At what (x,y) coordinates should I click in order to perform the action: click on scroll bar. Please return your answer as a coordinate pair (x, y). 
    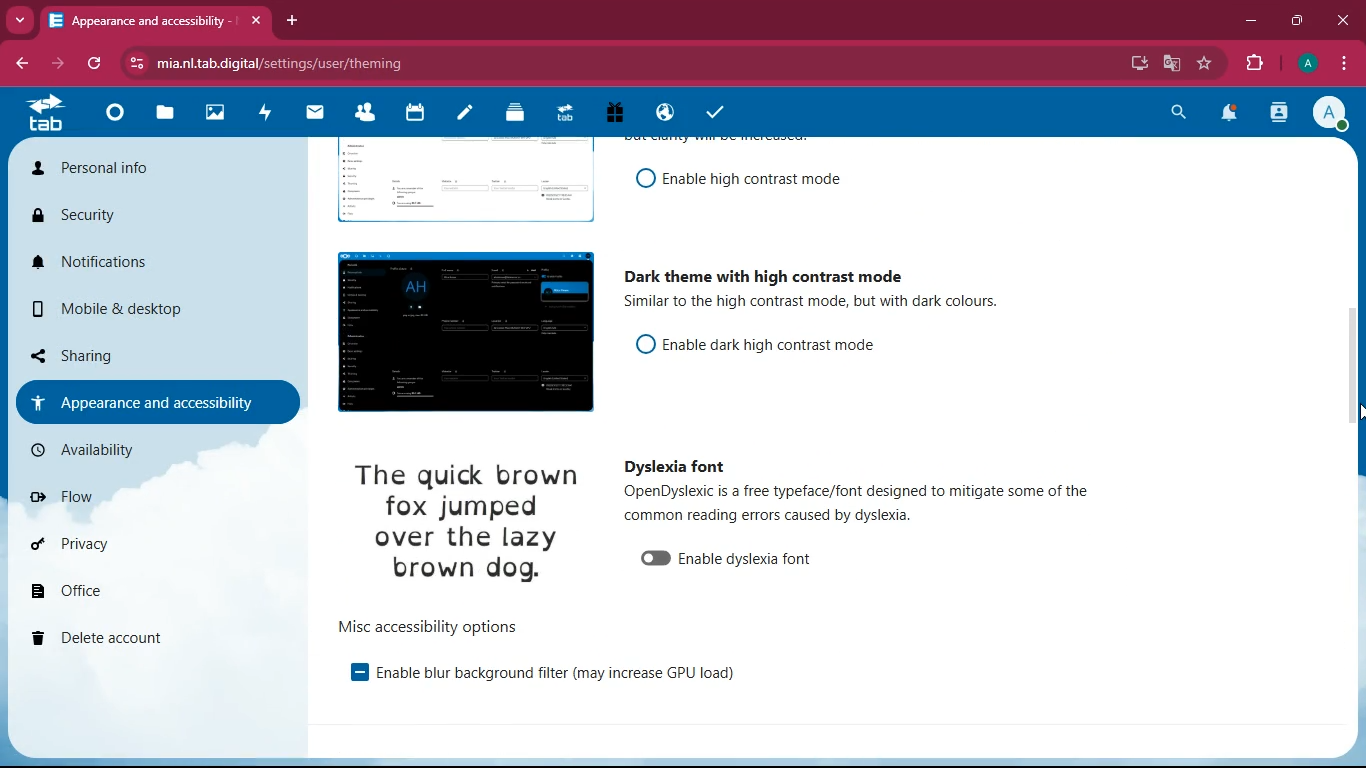
    Looking at the image, I should click on (1357, 331).